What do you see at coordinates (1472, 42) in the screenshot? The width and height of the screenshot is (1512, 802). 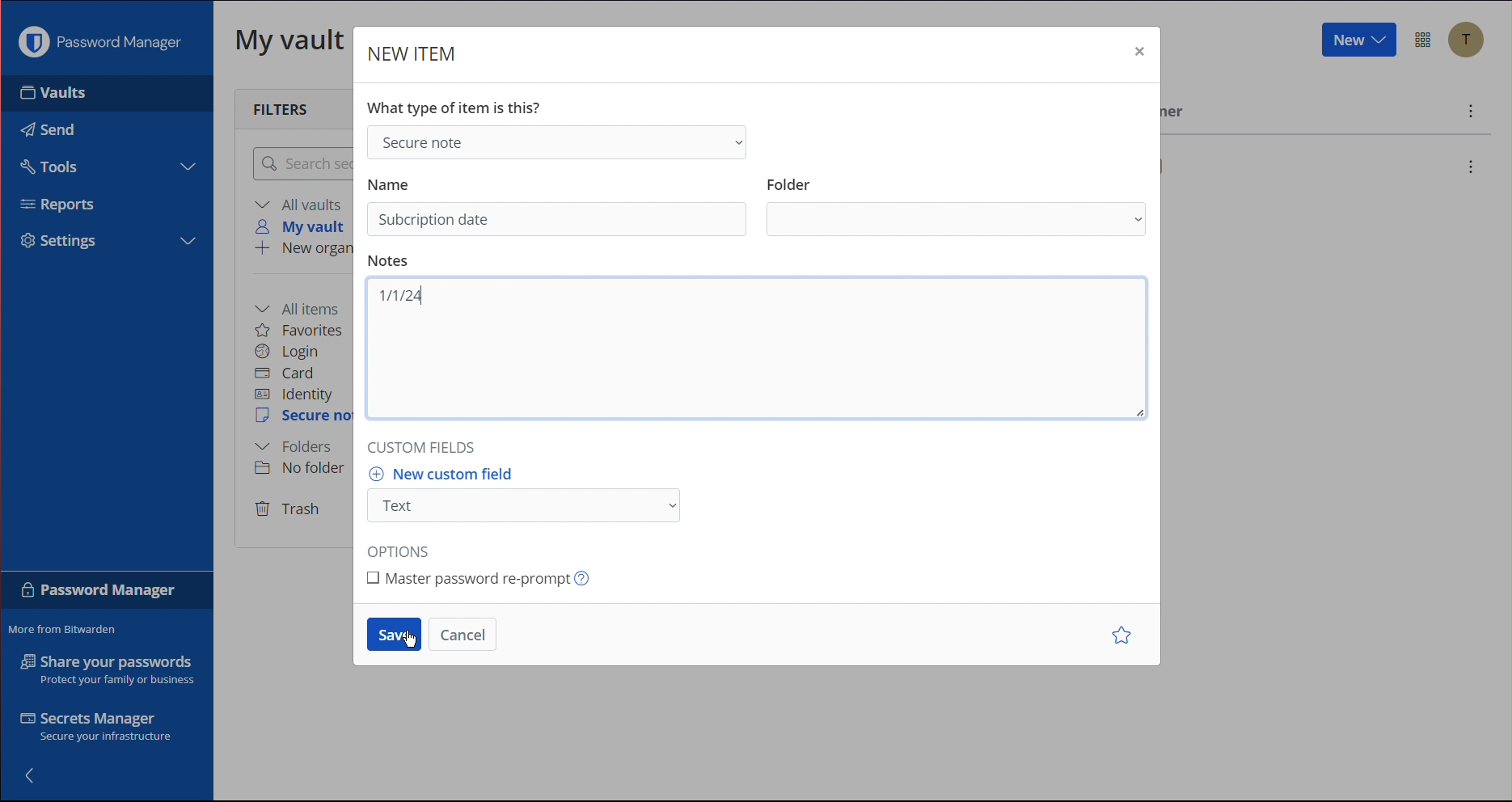 I see `Account` at bounding box center [1472, 42].